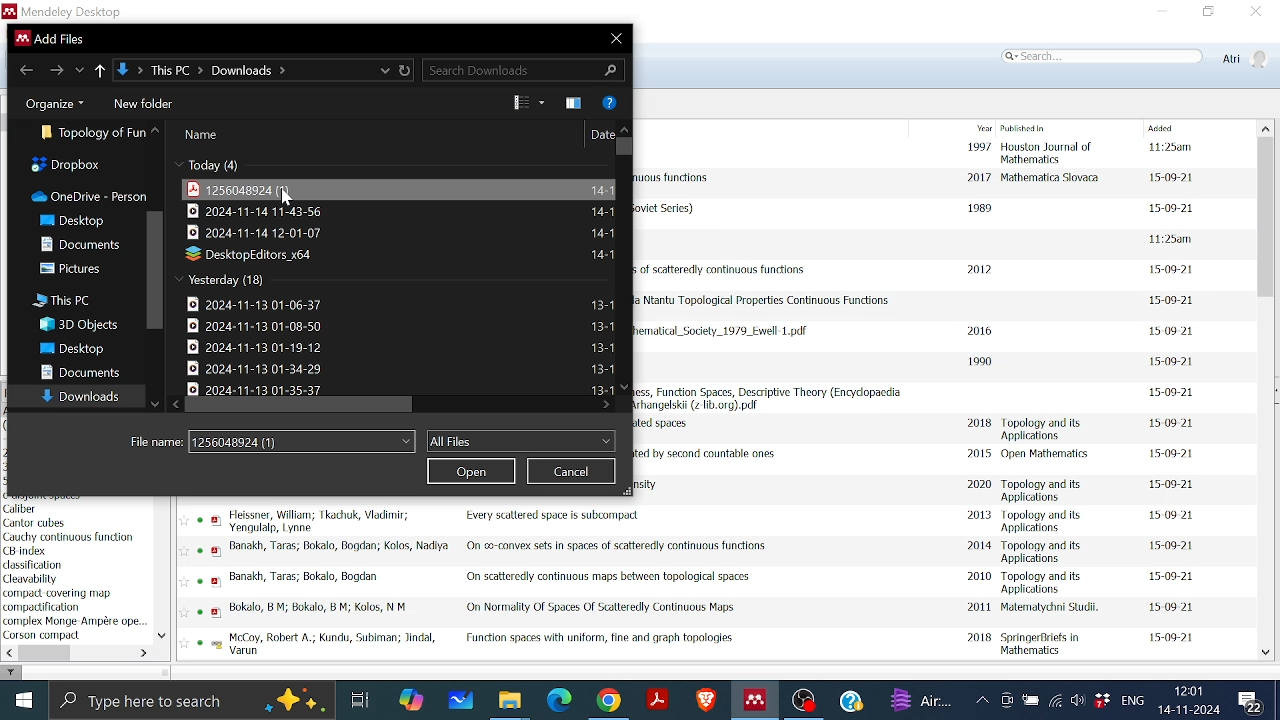 The image size is (1280, 720). What do you see at coordinates (80, 325) in the screenshot?
I see `3D Objects` at bounding box center [80, 325].